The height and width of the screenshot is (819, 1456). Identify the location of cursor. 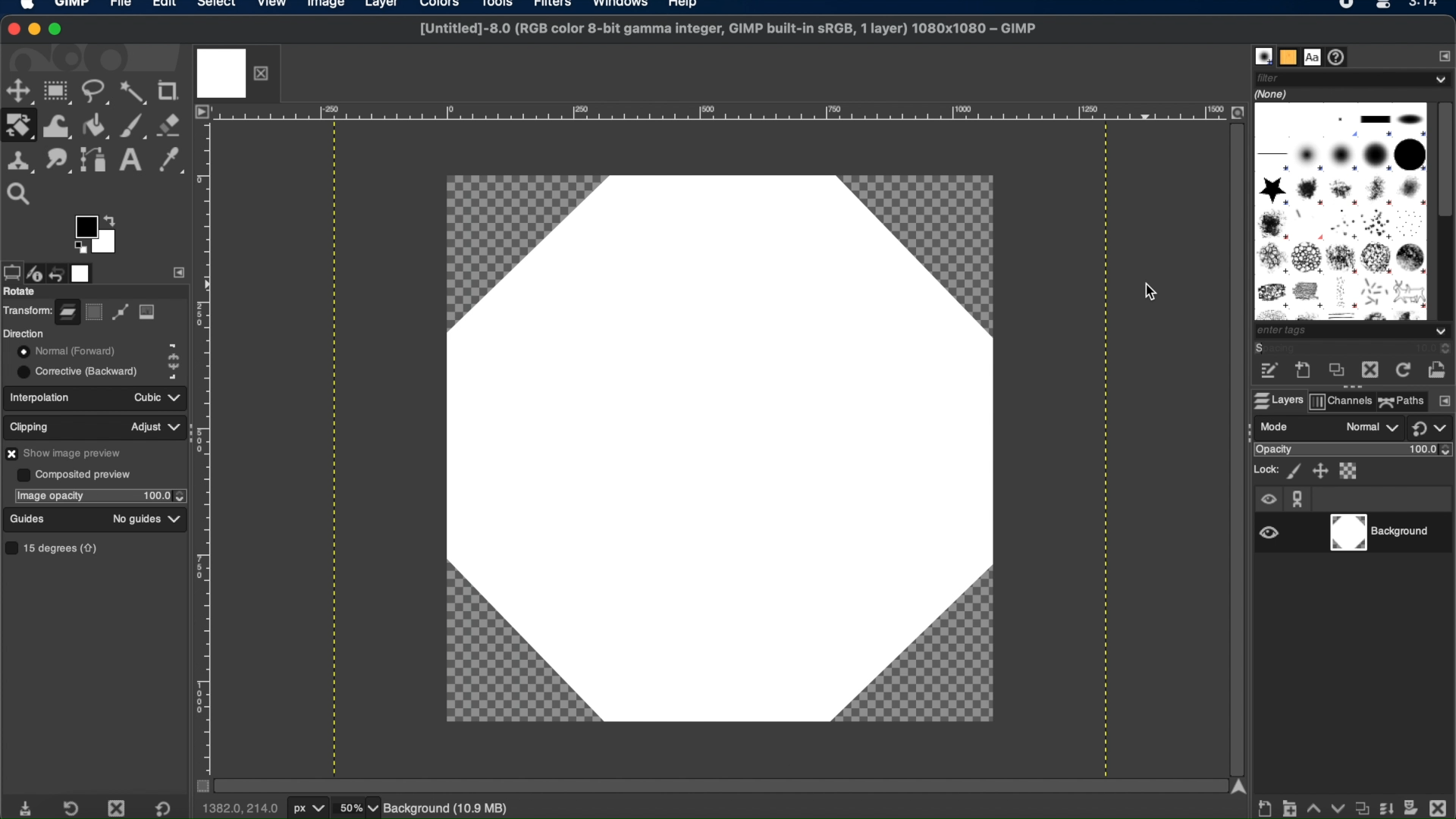
(1150, 293).